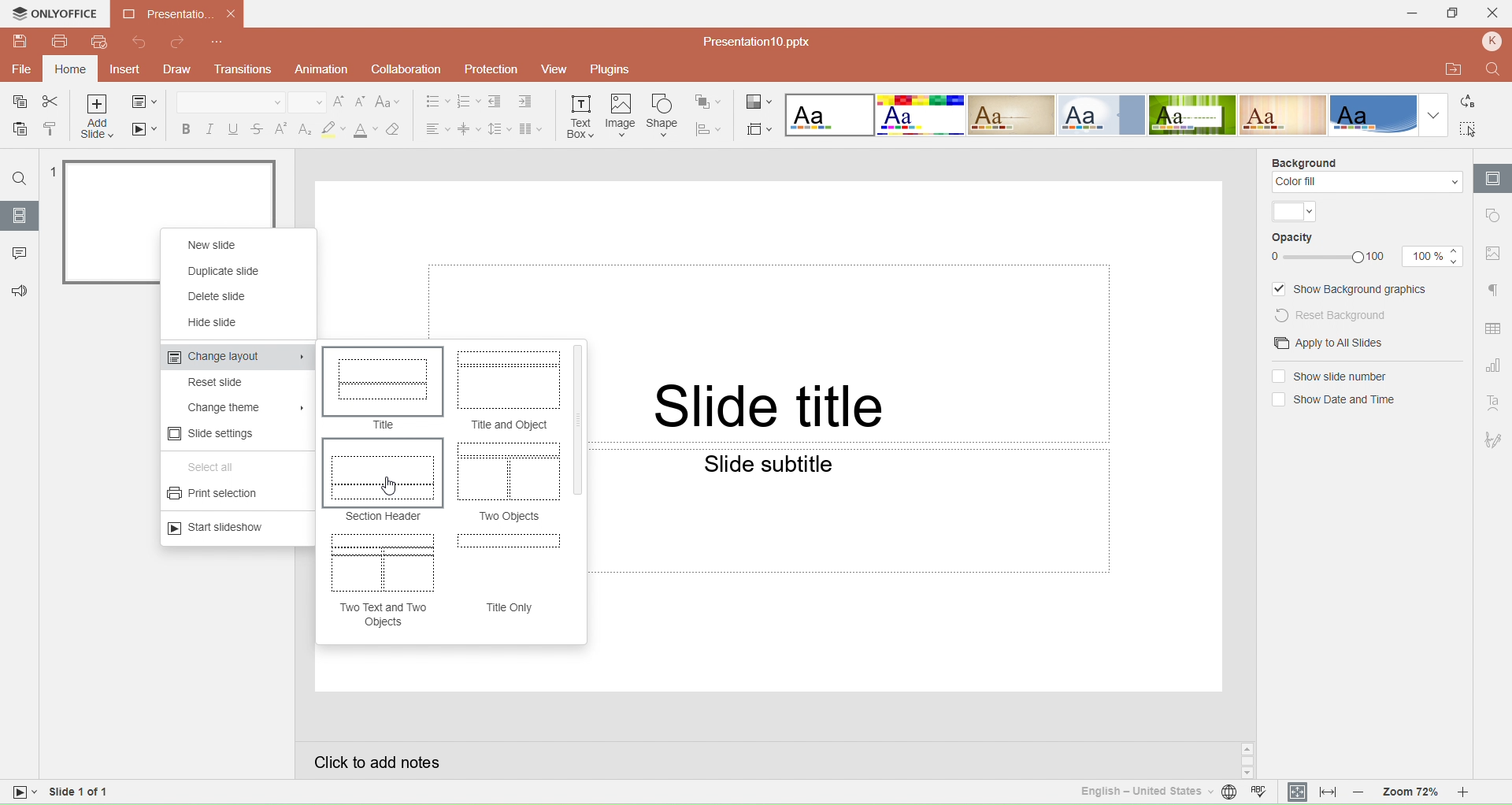  Describe the element at coordinates (535, 128) in the screenshot. I see `Insert columns` at that location.